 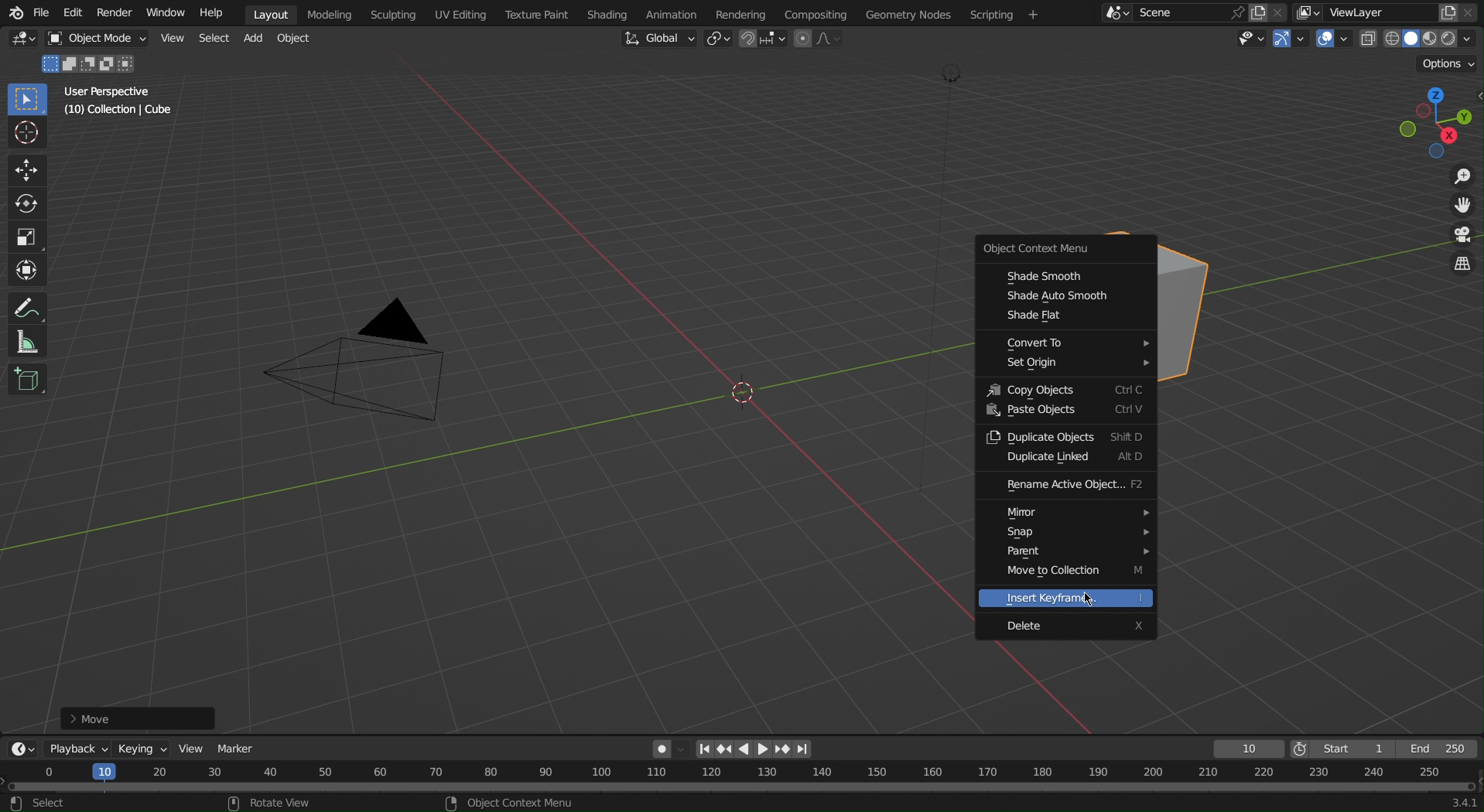 What do you see at coordinates (70, 12) in the screenshot?
I see `Edit` at bounding box center [70, 12].